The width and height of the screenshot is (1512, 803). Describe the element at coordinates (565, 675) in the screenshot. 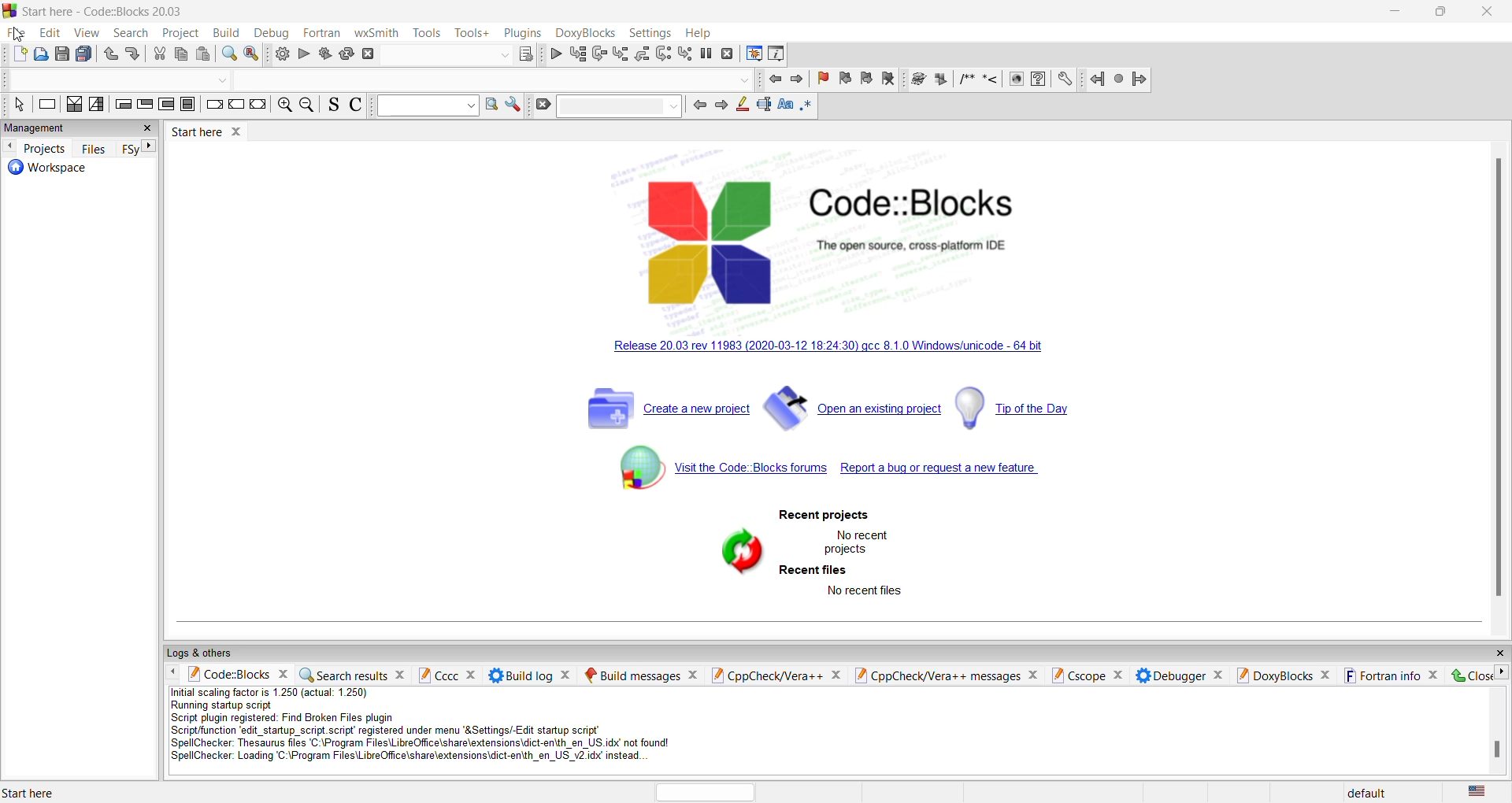

I see `close` at that location.